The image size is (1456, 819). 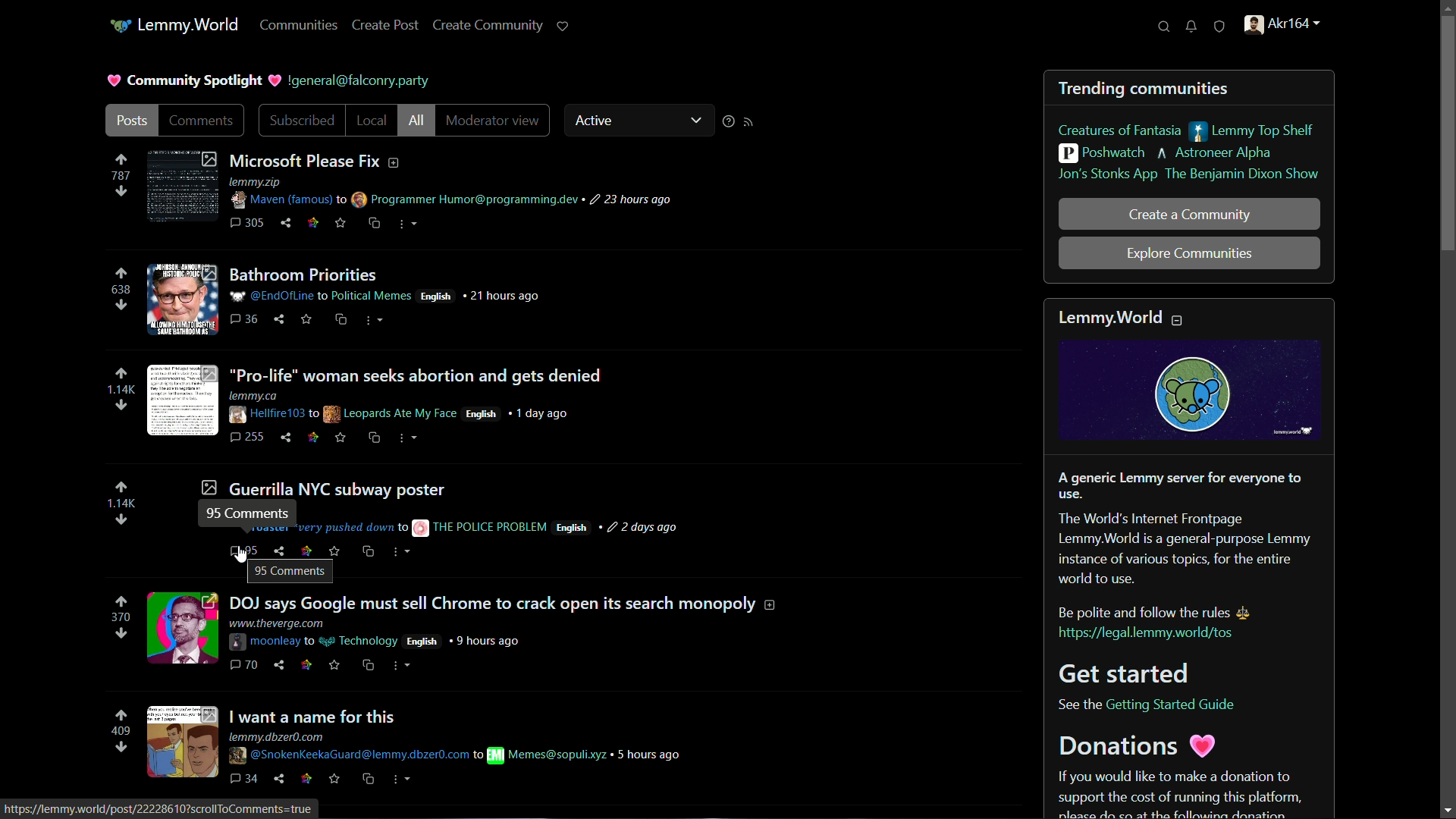 I want to click on profile, so click(x=1278, y=27).